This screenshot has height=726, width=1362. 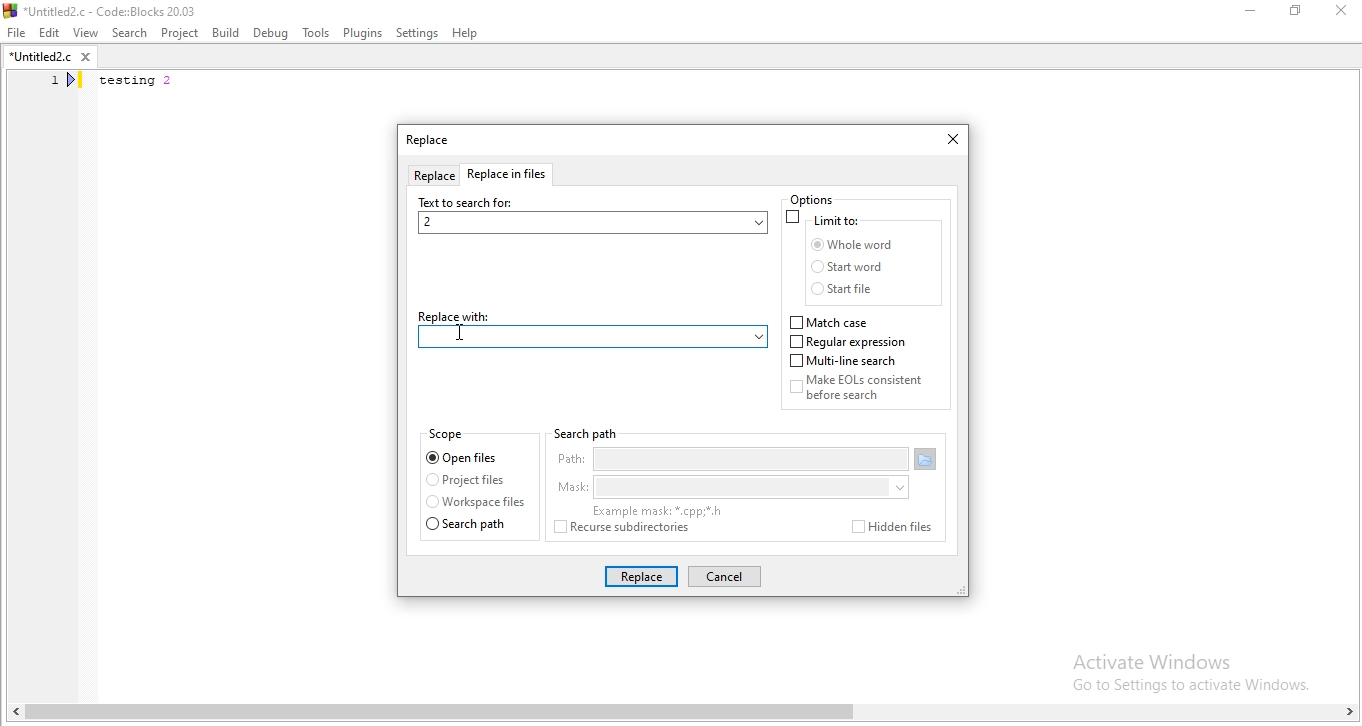 What do you see at coordinates (271, 31) in the screenshot?
I see `Debug ` at bounding box center [271, 31].